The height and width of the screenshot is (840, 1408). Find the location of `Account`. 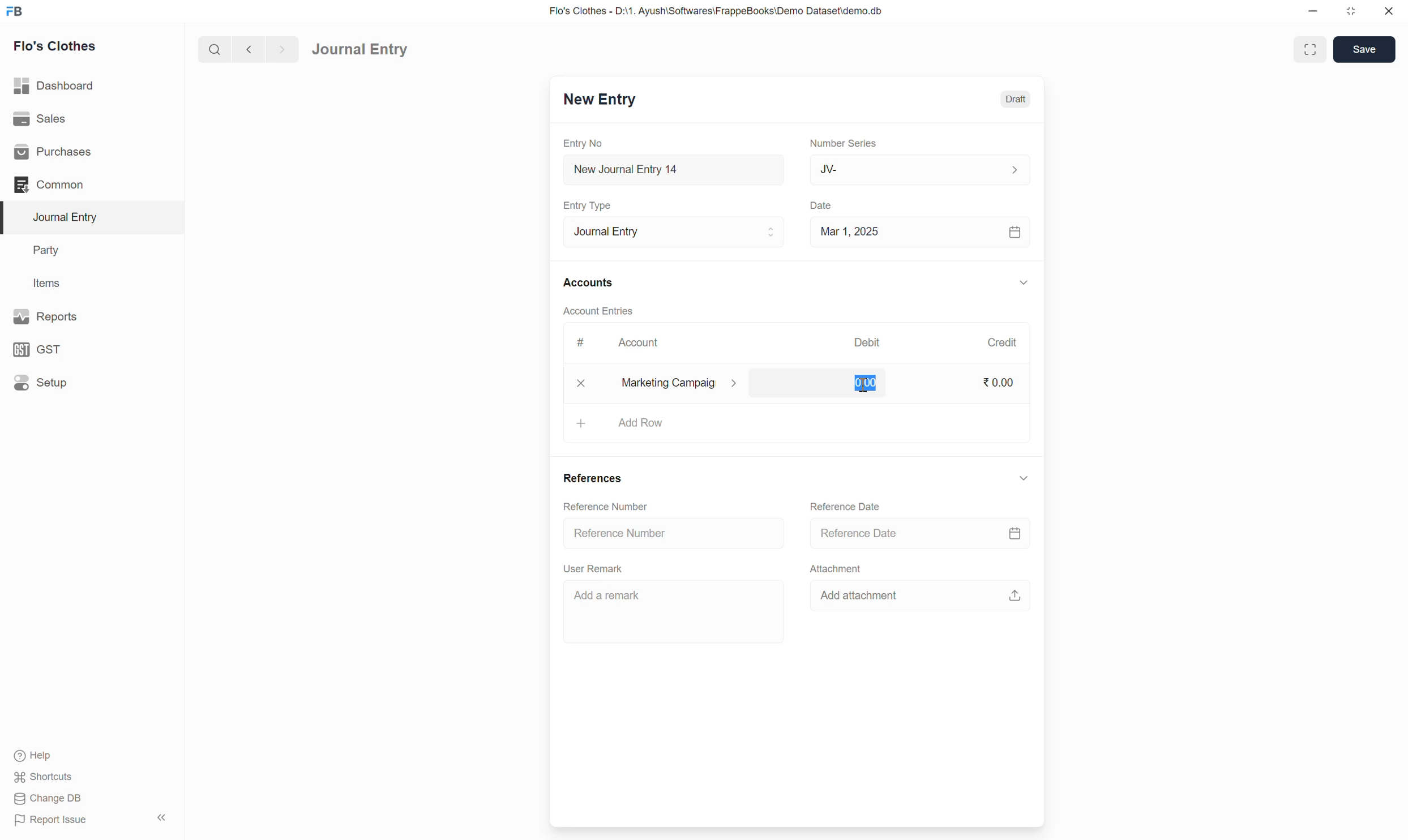

Account is located at coordinates (640, 342).